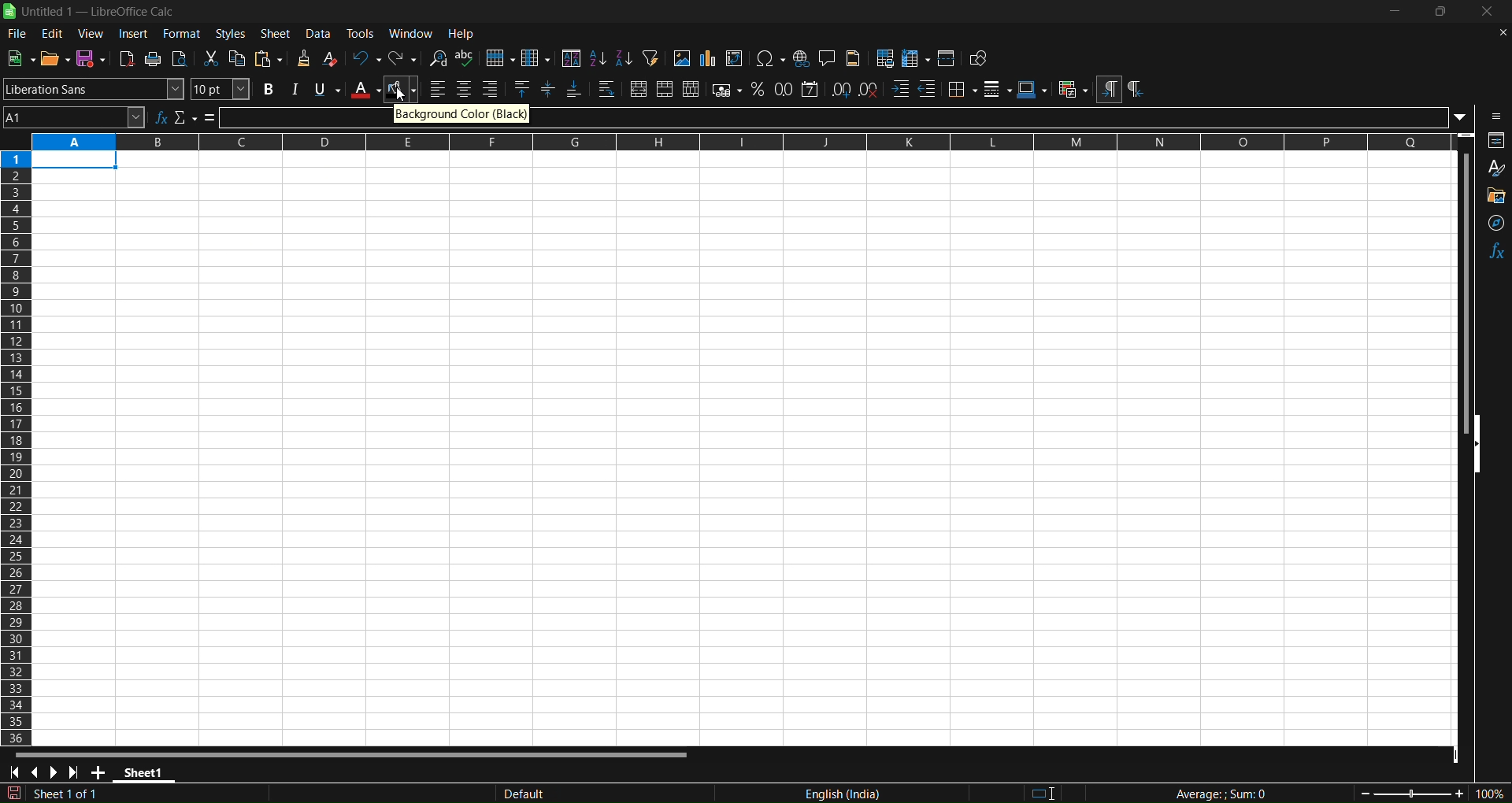 Image resolution: width=1512 pixels, height=803 pixels. Describe the element at coordinates (329, 59) in the screenshot. I see `clear direct formatting` at that location.